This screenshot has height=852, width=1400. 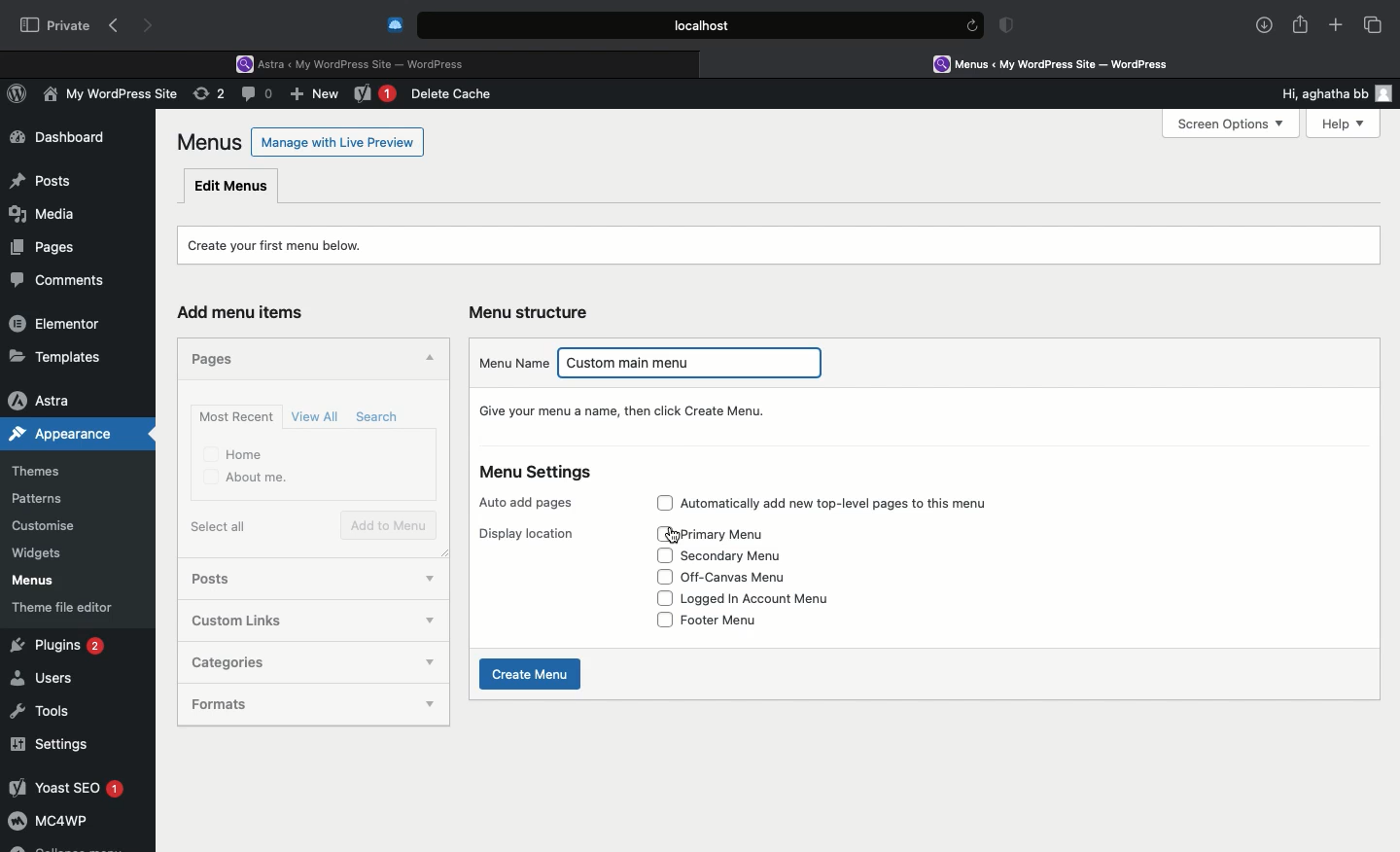 What do you see at coordinates (433, 665) in the screenshot?
I see `show` at bounding box center [433, 665].